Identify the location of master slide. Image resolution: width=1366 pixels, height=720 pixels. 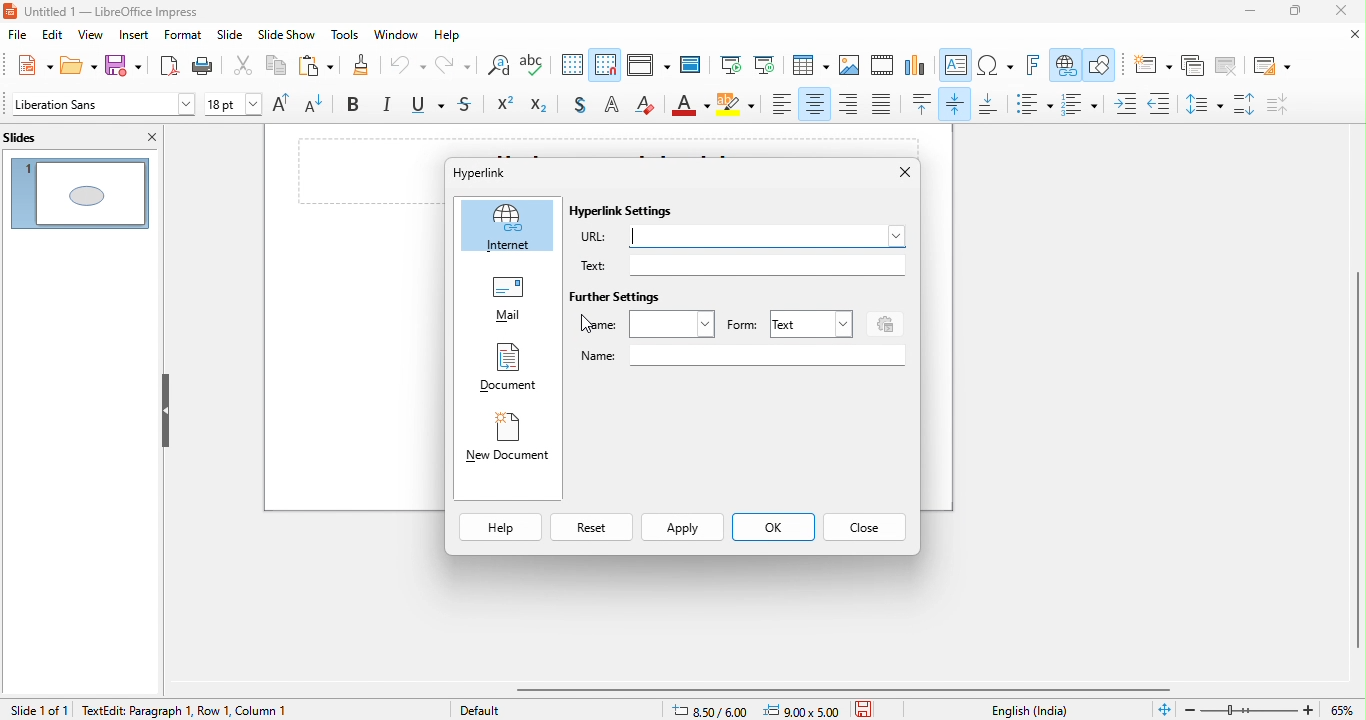
(694, 65).